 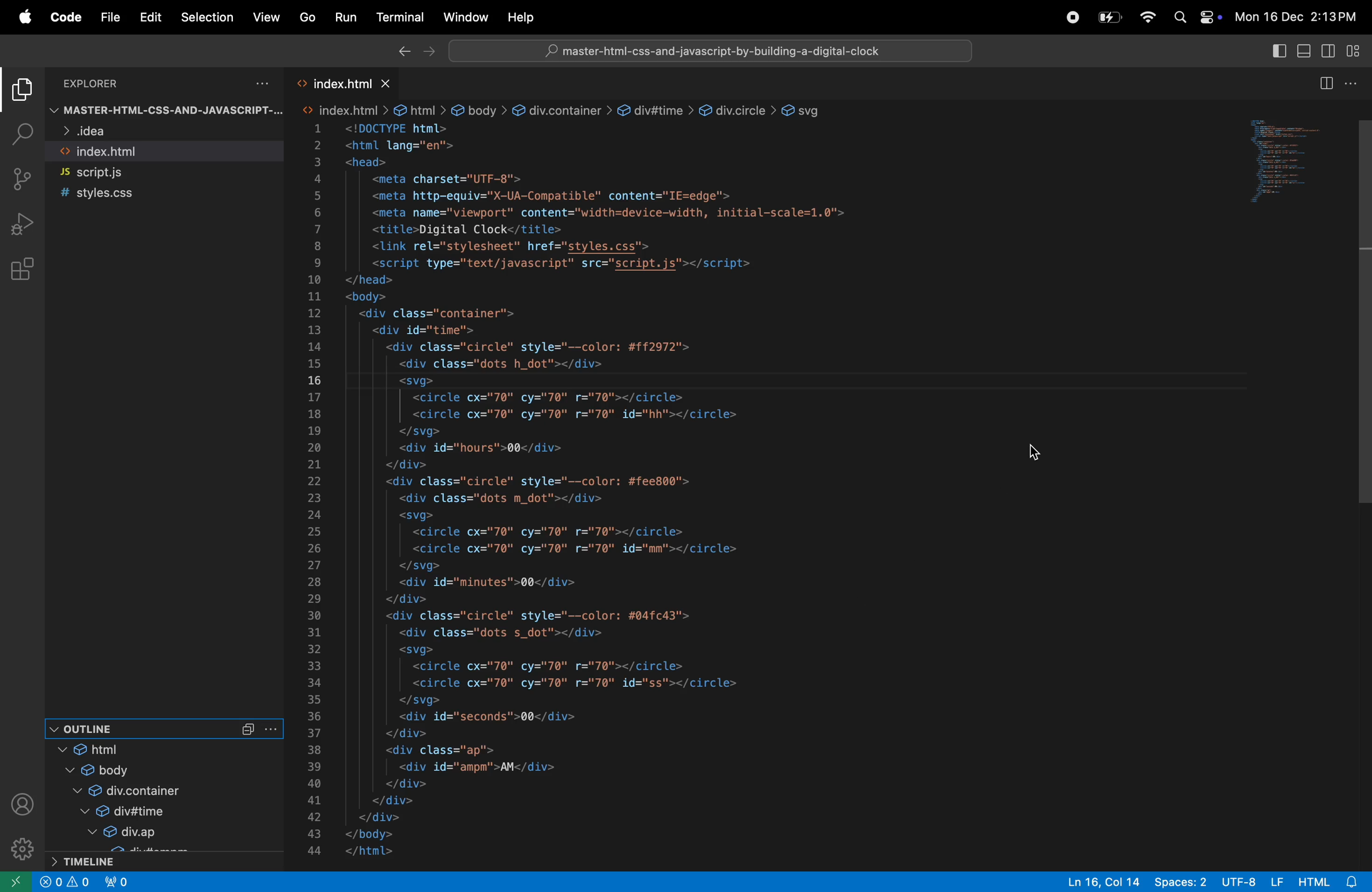 I want to click on spaces 2, so click(x=1182, y=882).